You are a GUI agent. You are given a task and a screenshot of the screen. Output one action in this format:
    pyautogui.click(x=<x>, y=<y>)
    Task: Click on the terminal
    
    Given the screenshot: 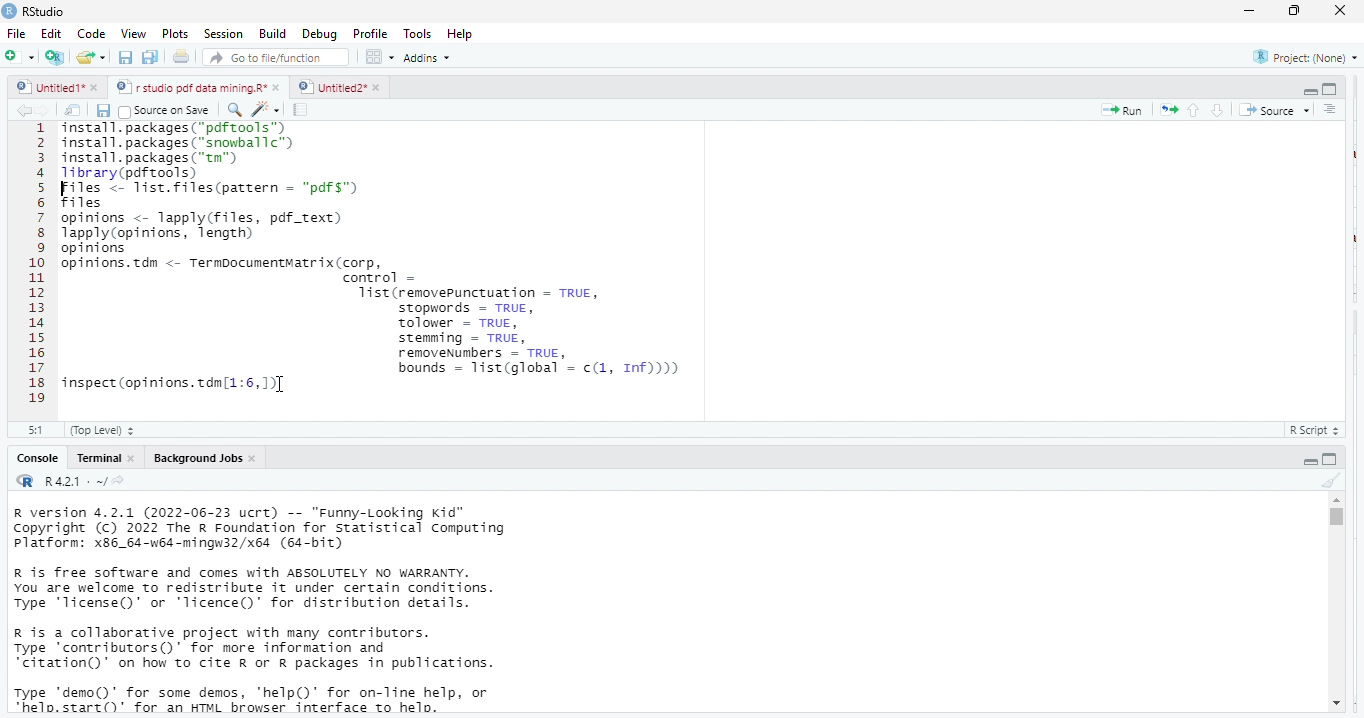 What is the action you would take?
    pyautogui.click(x=97, y=458)
    